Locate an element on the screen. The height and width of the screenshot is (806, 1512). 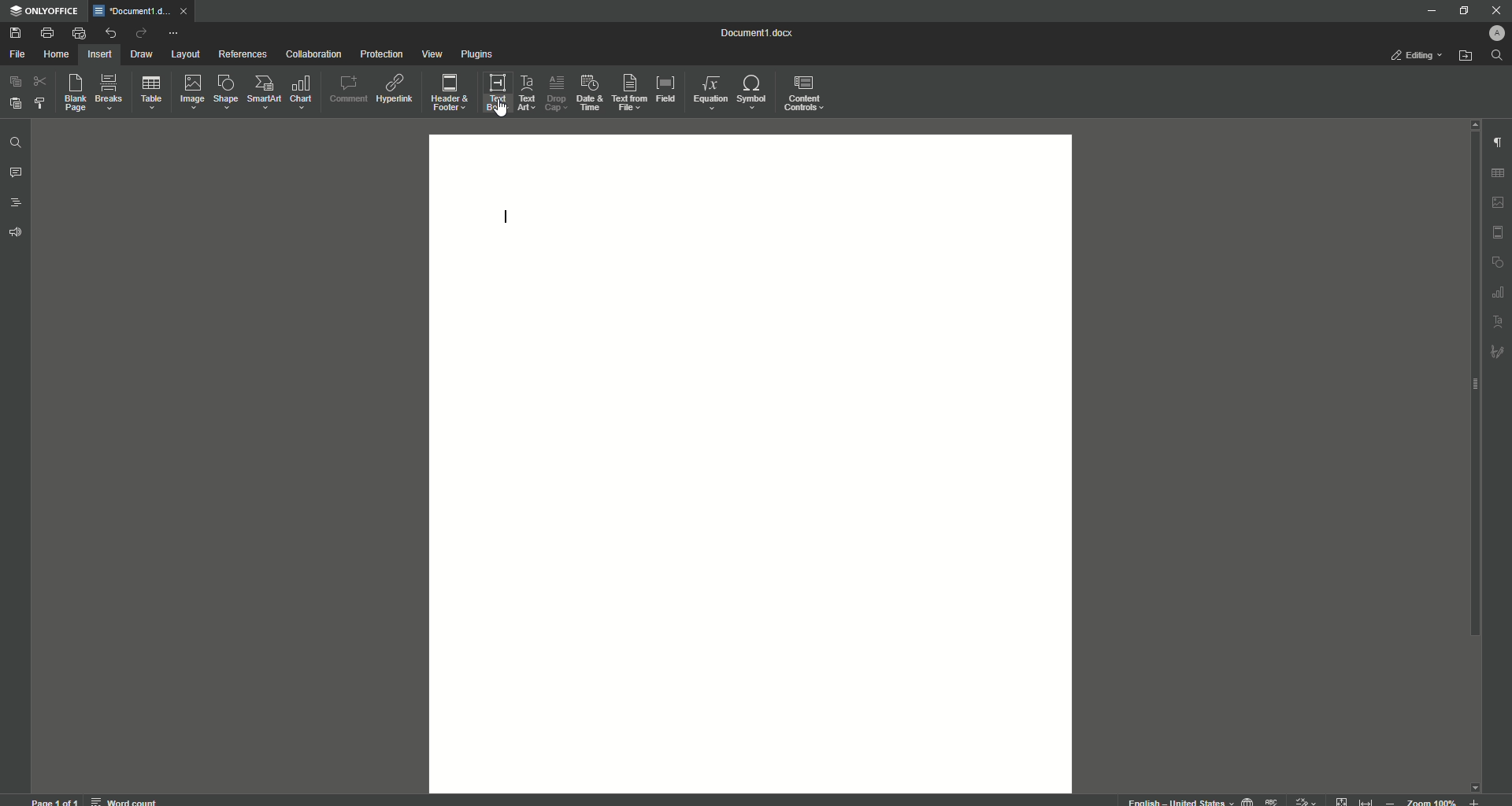
spell checking is located at coordinates (1273, 800).